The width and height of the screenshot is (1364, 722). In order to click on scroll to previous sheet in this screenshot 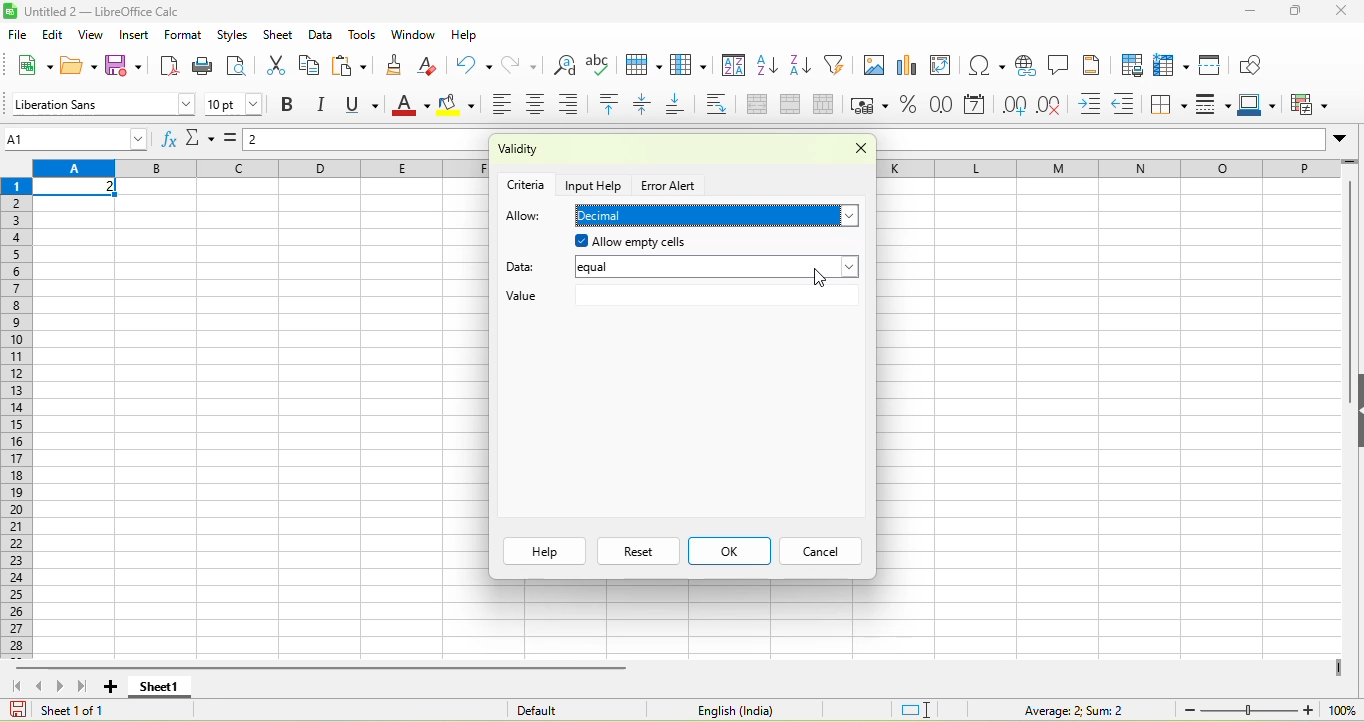, I will do `click(41, 686)`.